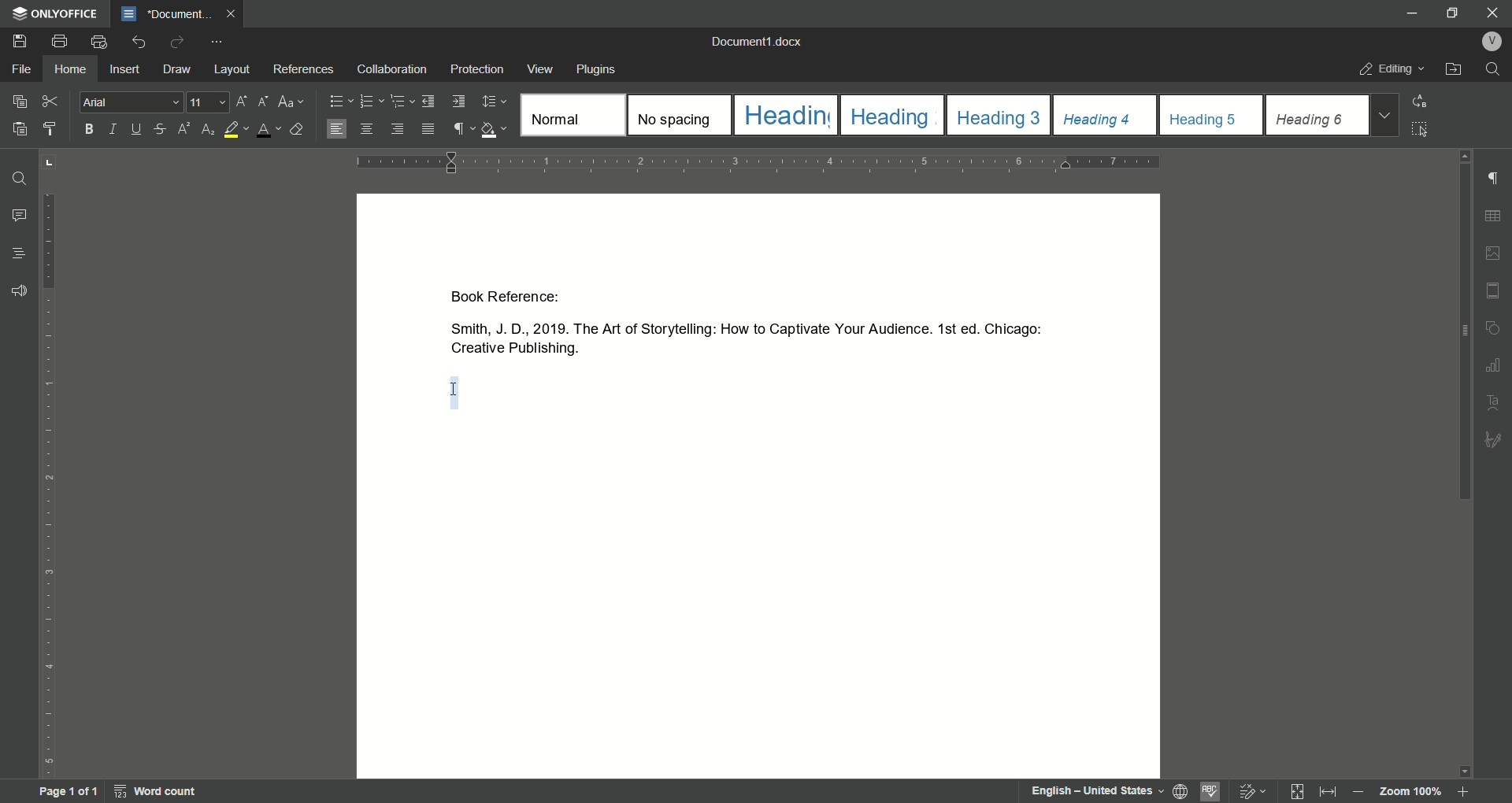 The height and width of the screenshot is (803, 1512). Describe the element at coordinates (495, 128) in the screenshot. I see `shading` at that location.